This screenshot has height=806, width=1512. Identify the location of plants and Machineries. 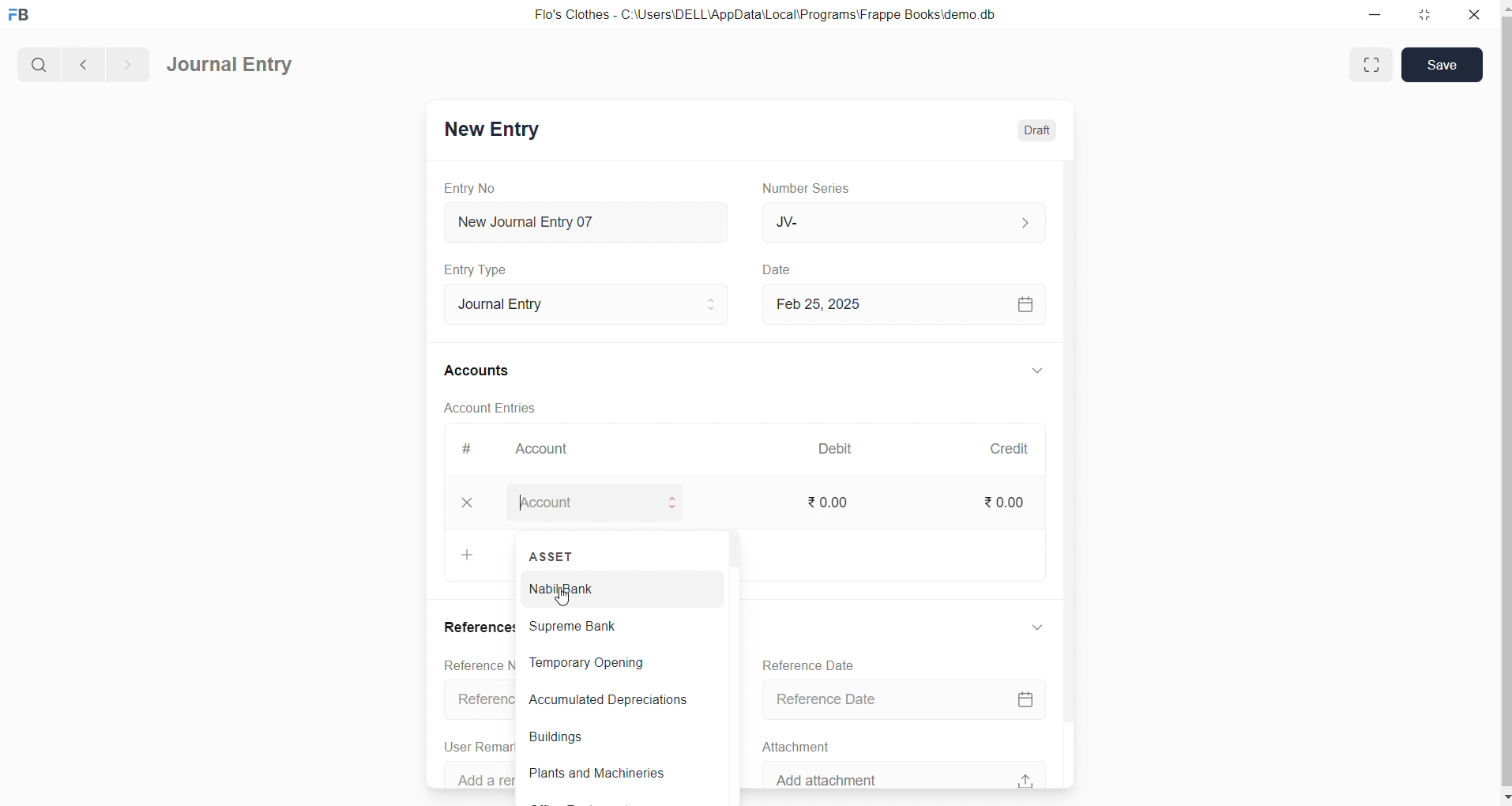
(611, 774).